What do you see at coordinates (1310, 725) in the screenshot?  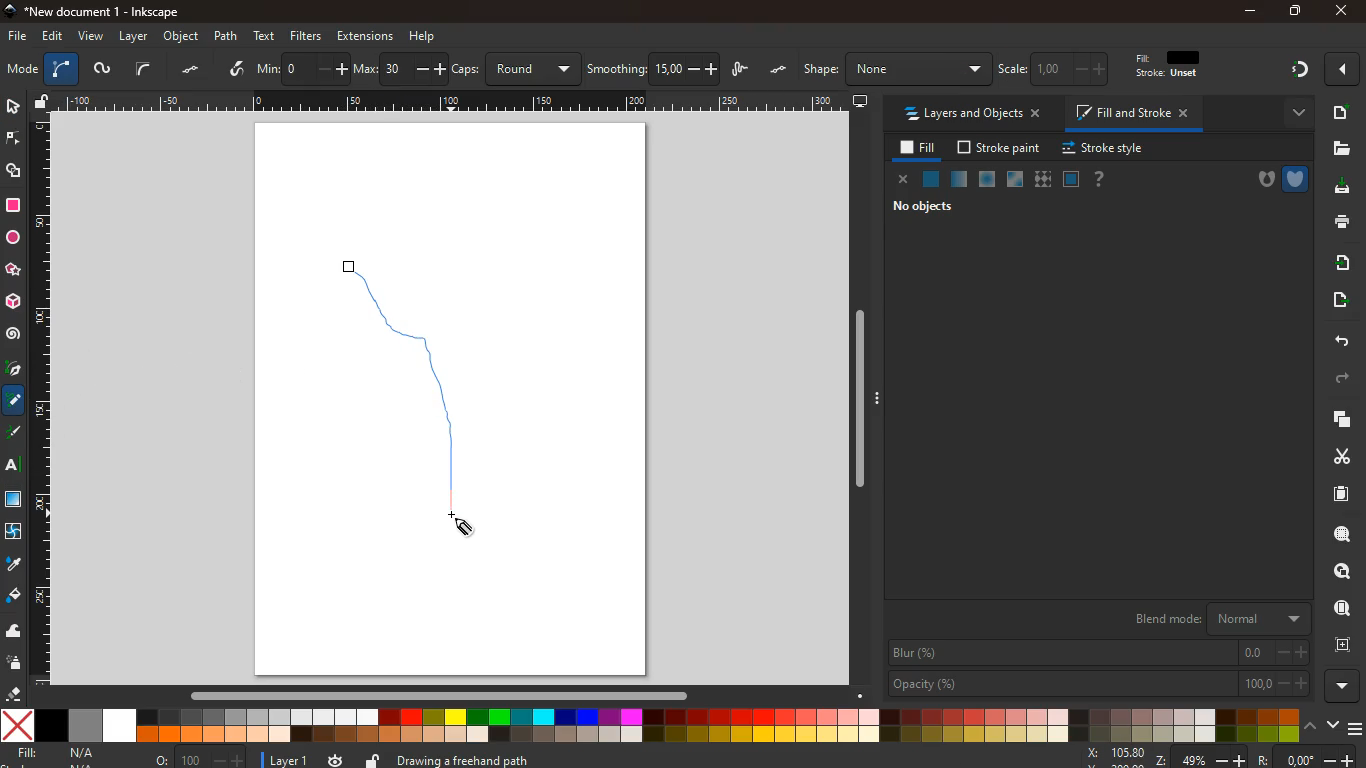 I see `up` at bounding box center [1310, 725].